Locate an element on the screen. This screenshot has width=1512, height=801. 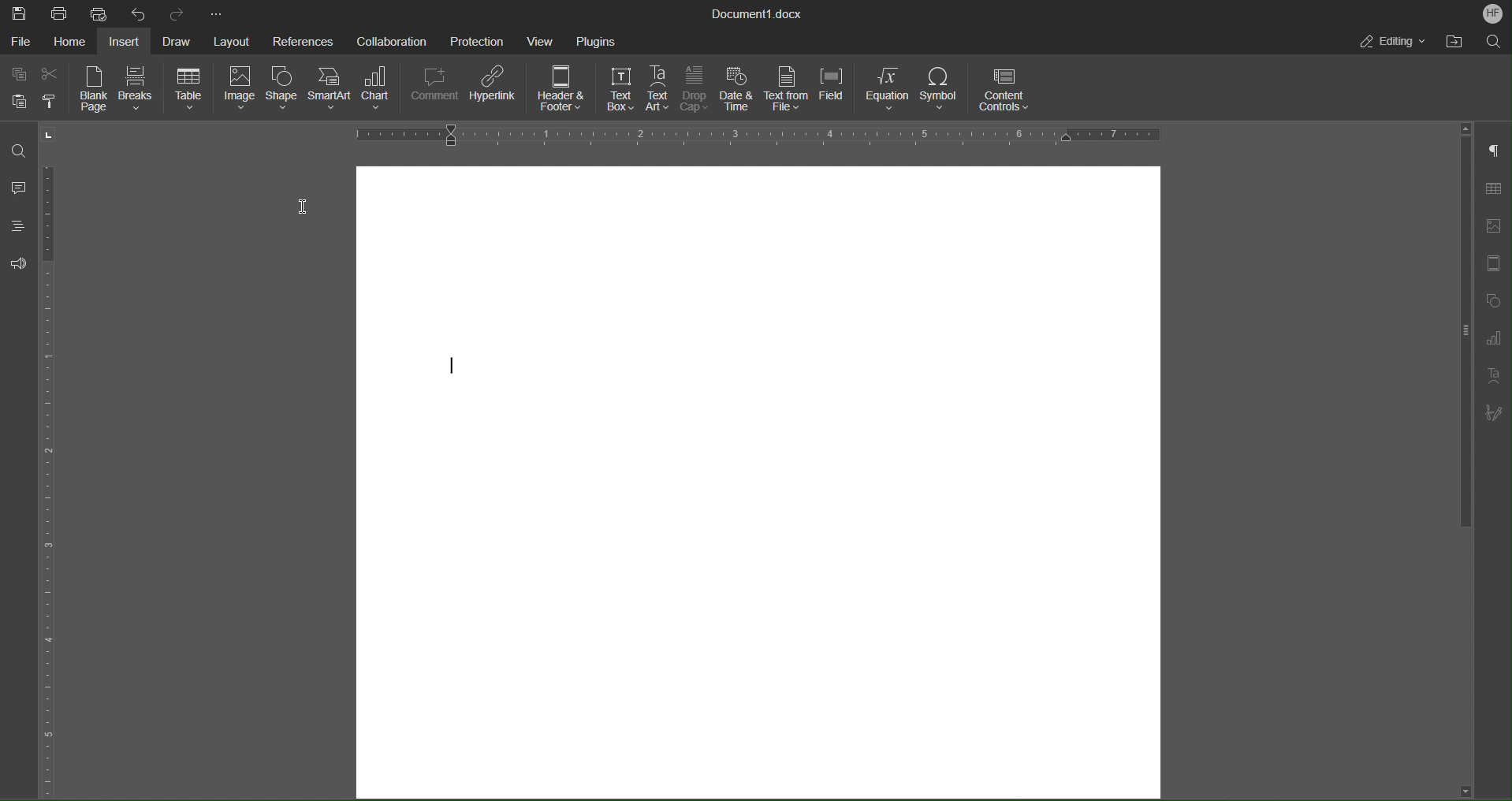
Equation is located at coordinates (884, 91).